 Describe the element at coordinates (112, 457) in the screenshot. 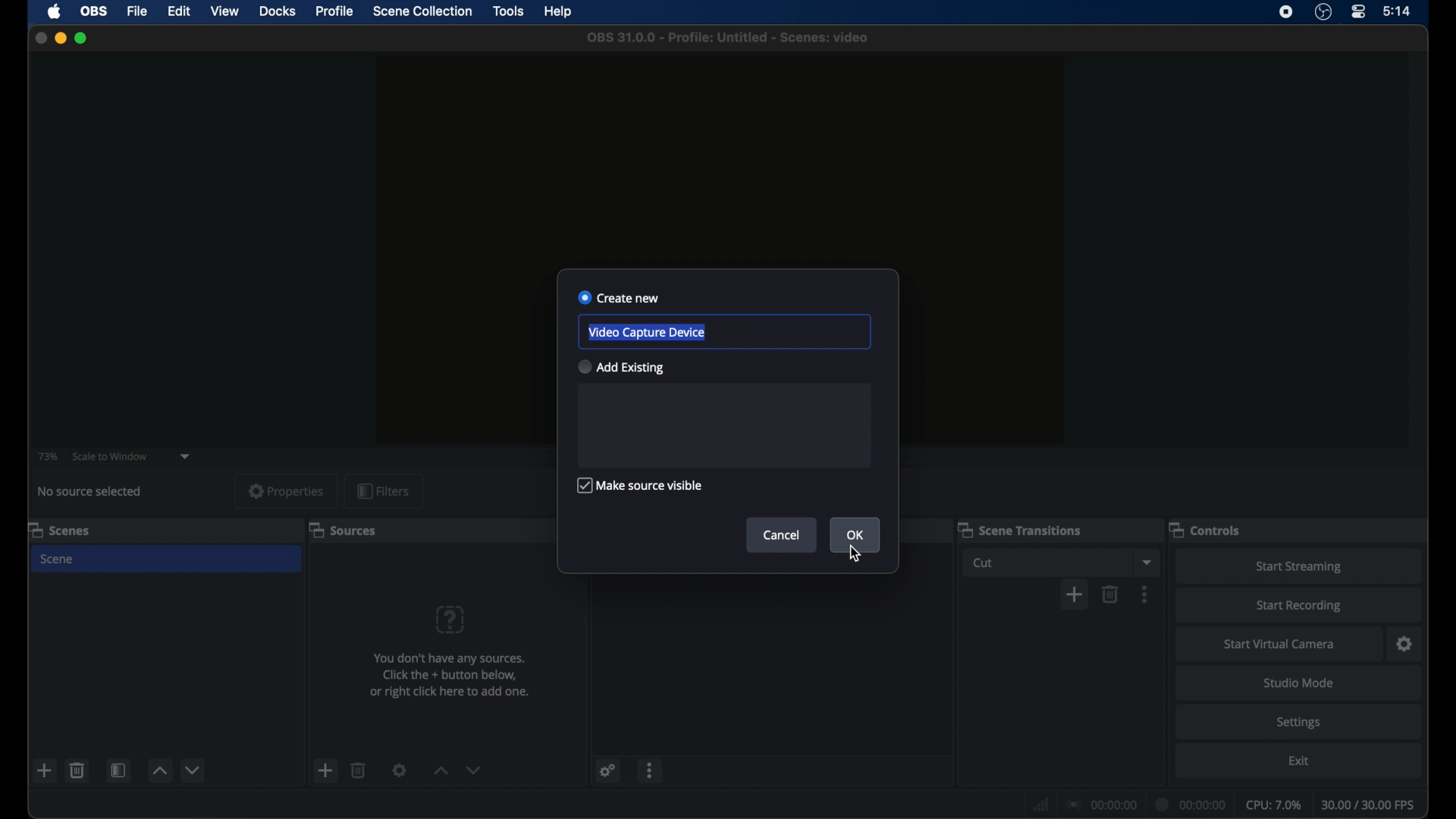

I see `scale to window` at that location.